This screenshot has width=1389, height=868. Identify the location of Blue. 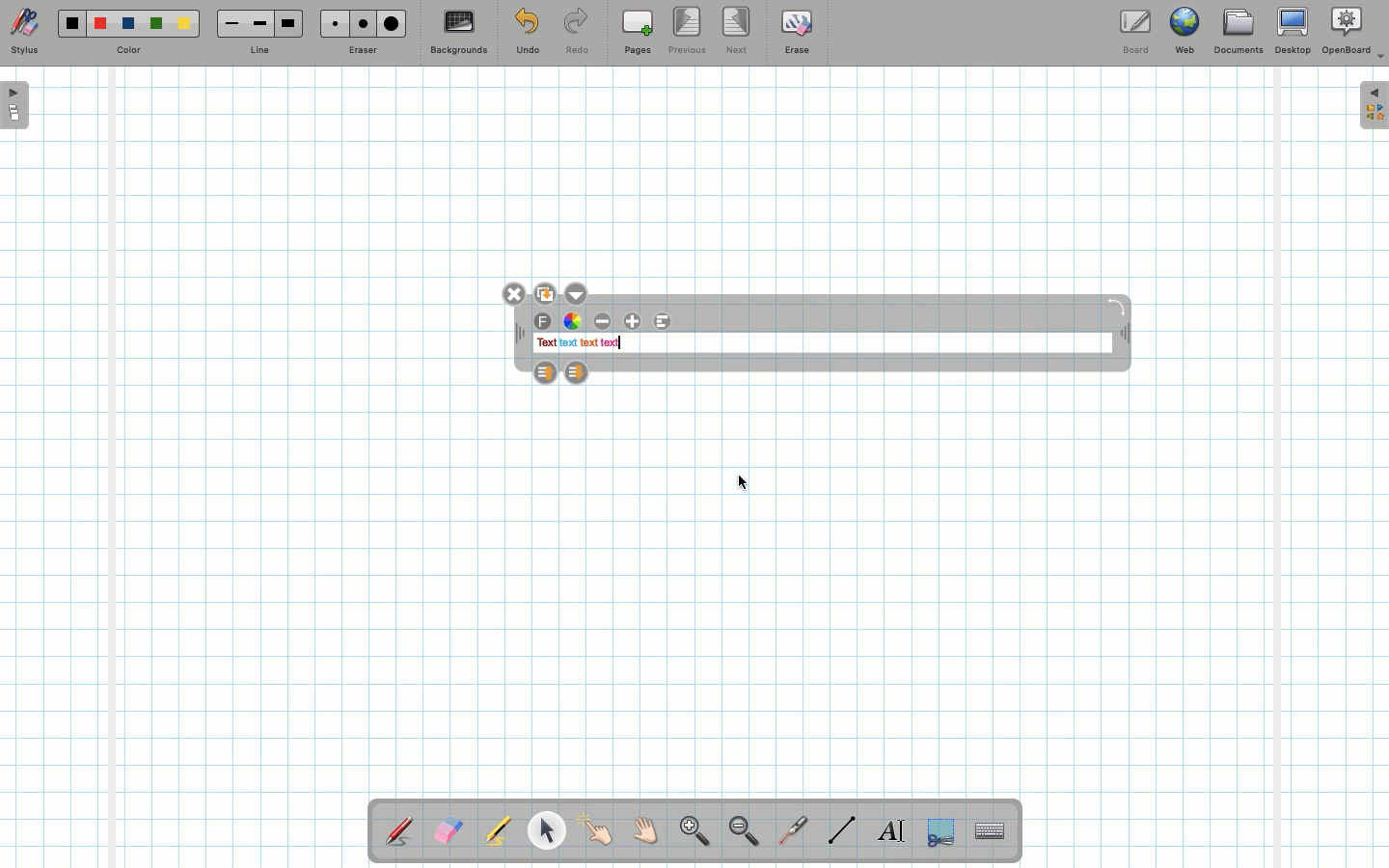
(129, 24).